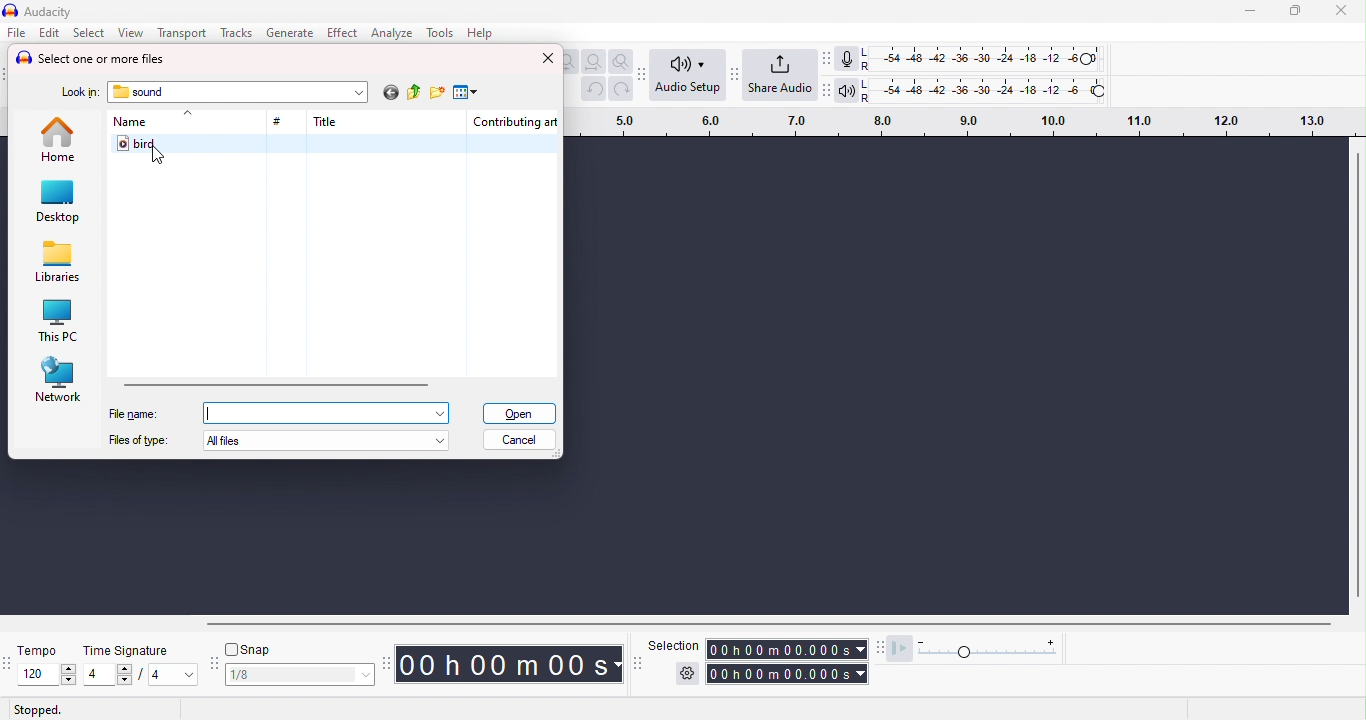 This screenshot has width=1366, height=720. I want to click on snap tool bar, so click(216, 664).